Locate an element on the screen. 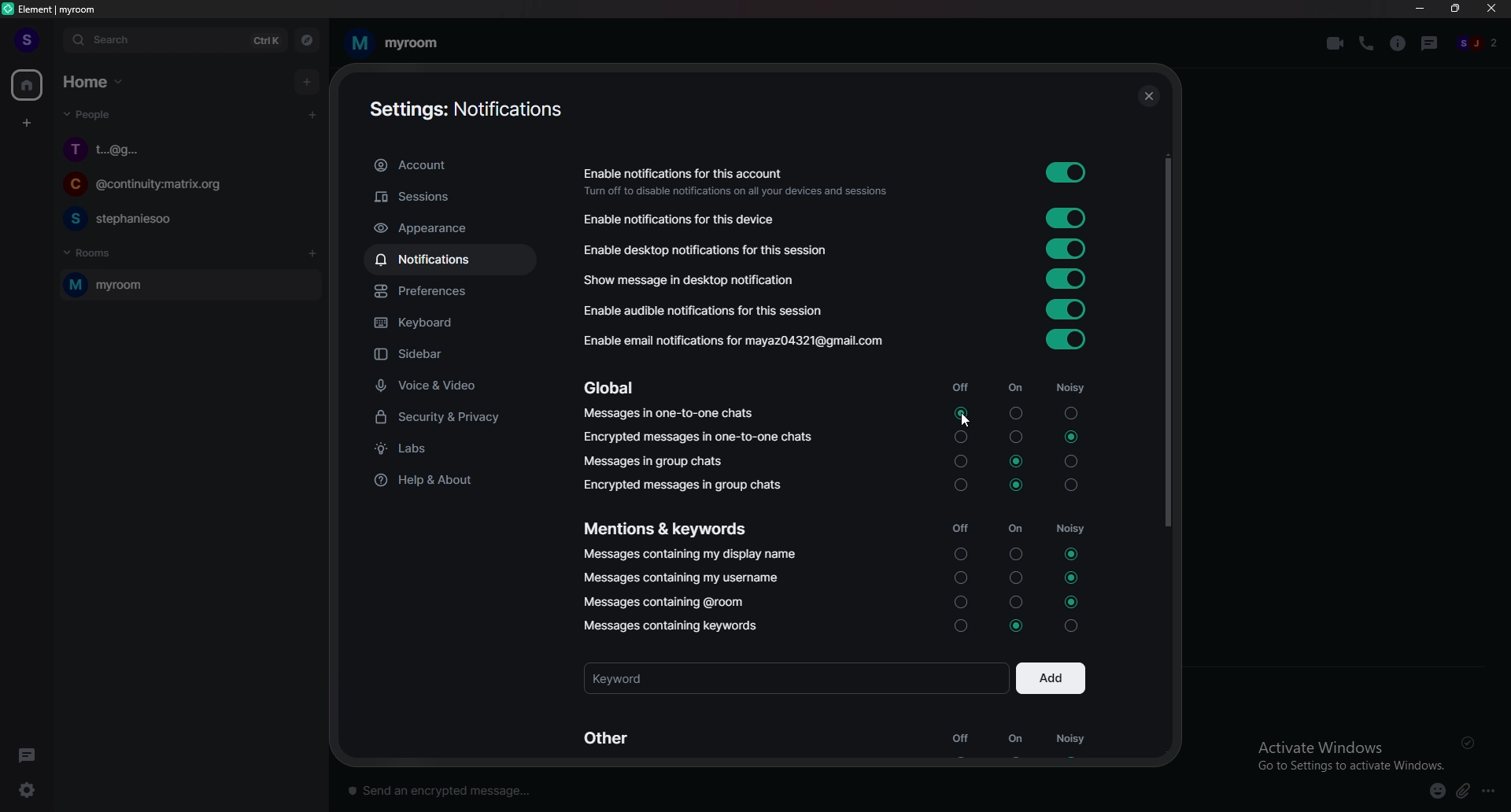  Enable audible notifications for this session is located at coordinates (707, 312).